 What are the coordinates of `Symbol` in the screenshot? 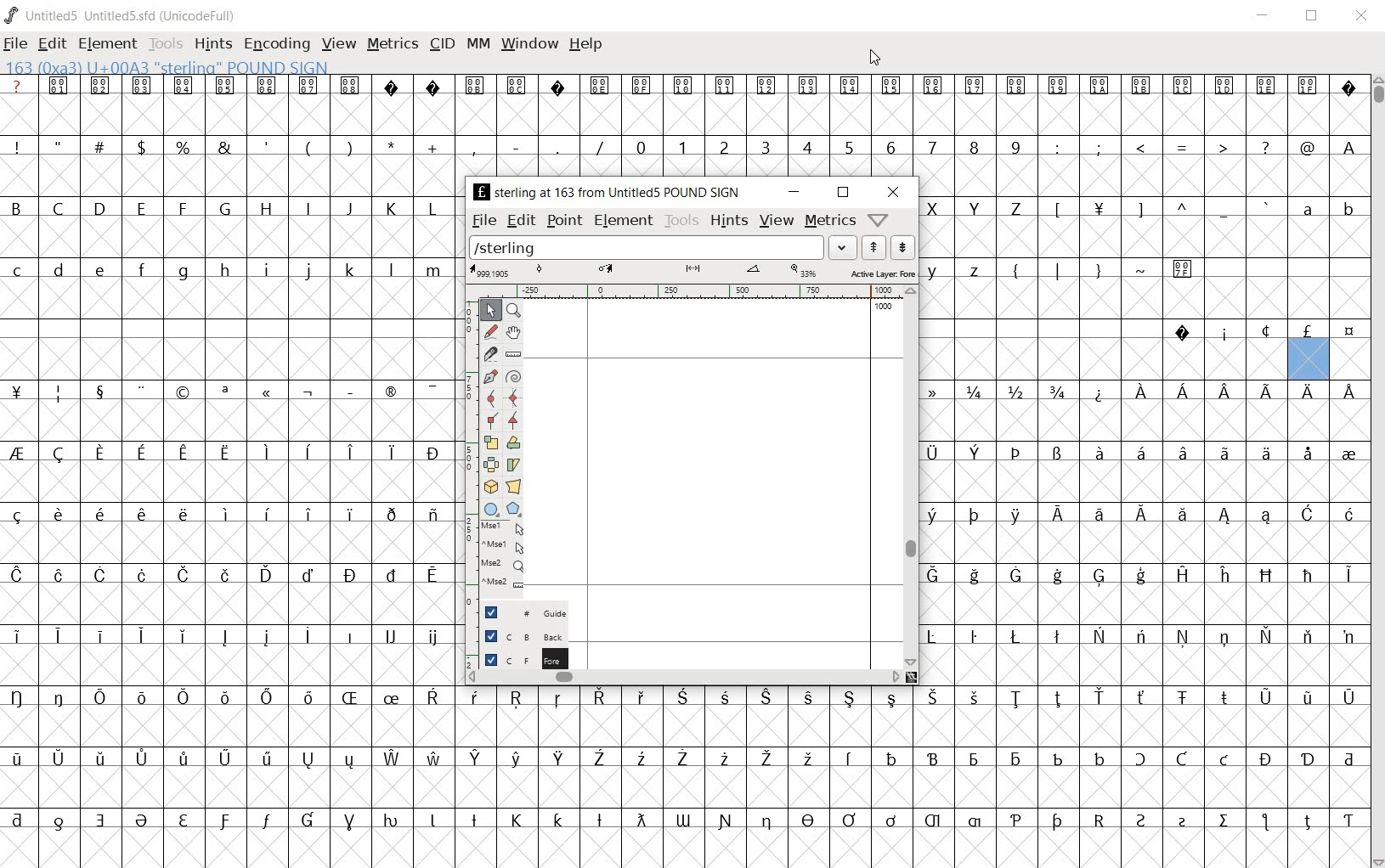 It's located at (1183, 87).